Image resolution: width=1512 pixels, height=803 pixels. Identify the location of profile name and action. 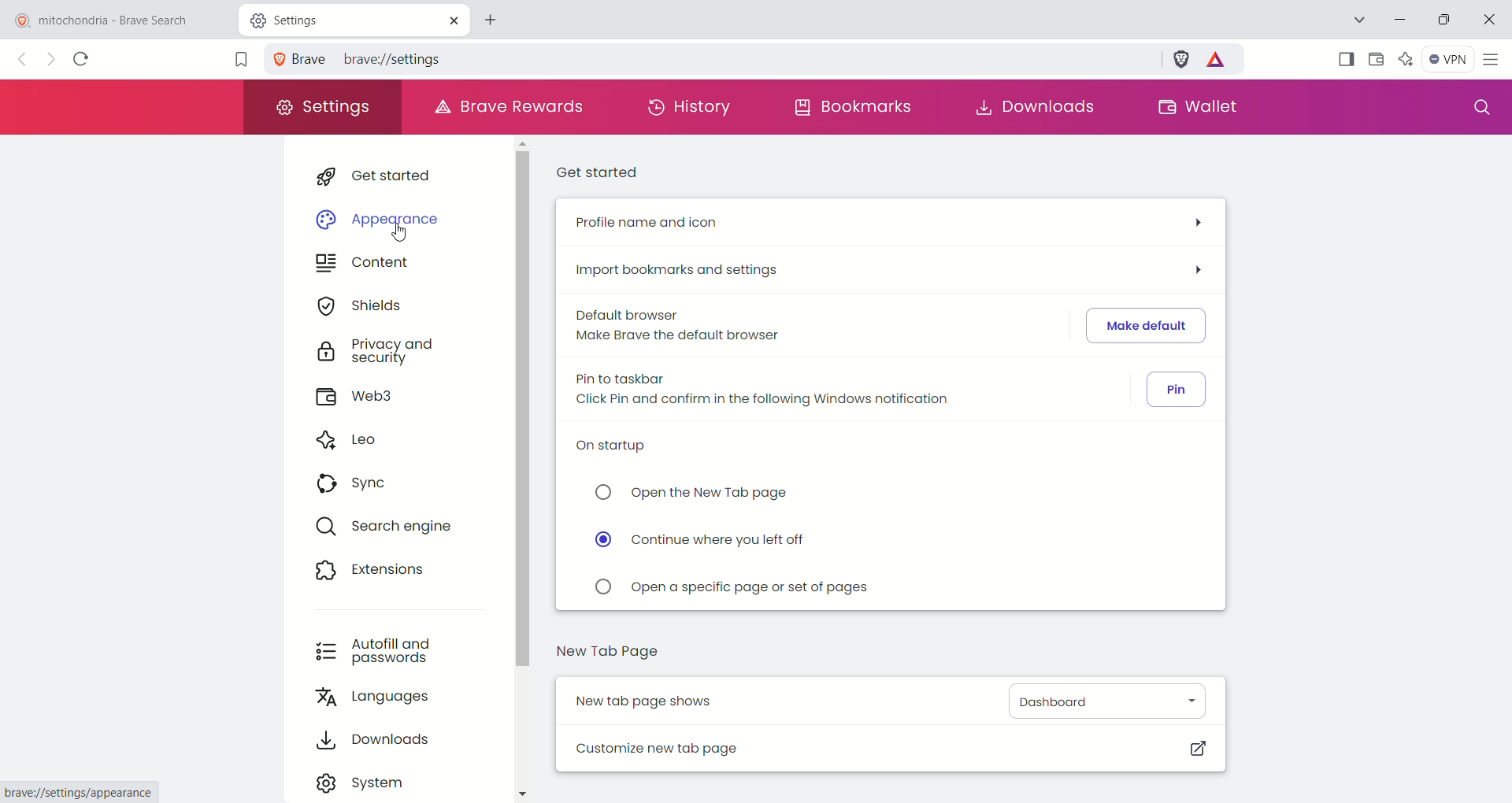
(888, 225).